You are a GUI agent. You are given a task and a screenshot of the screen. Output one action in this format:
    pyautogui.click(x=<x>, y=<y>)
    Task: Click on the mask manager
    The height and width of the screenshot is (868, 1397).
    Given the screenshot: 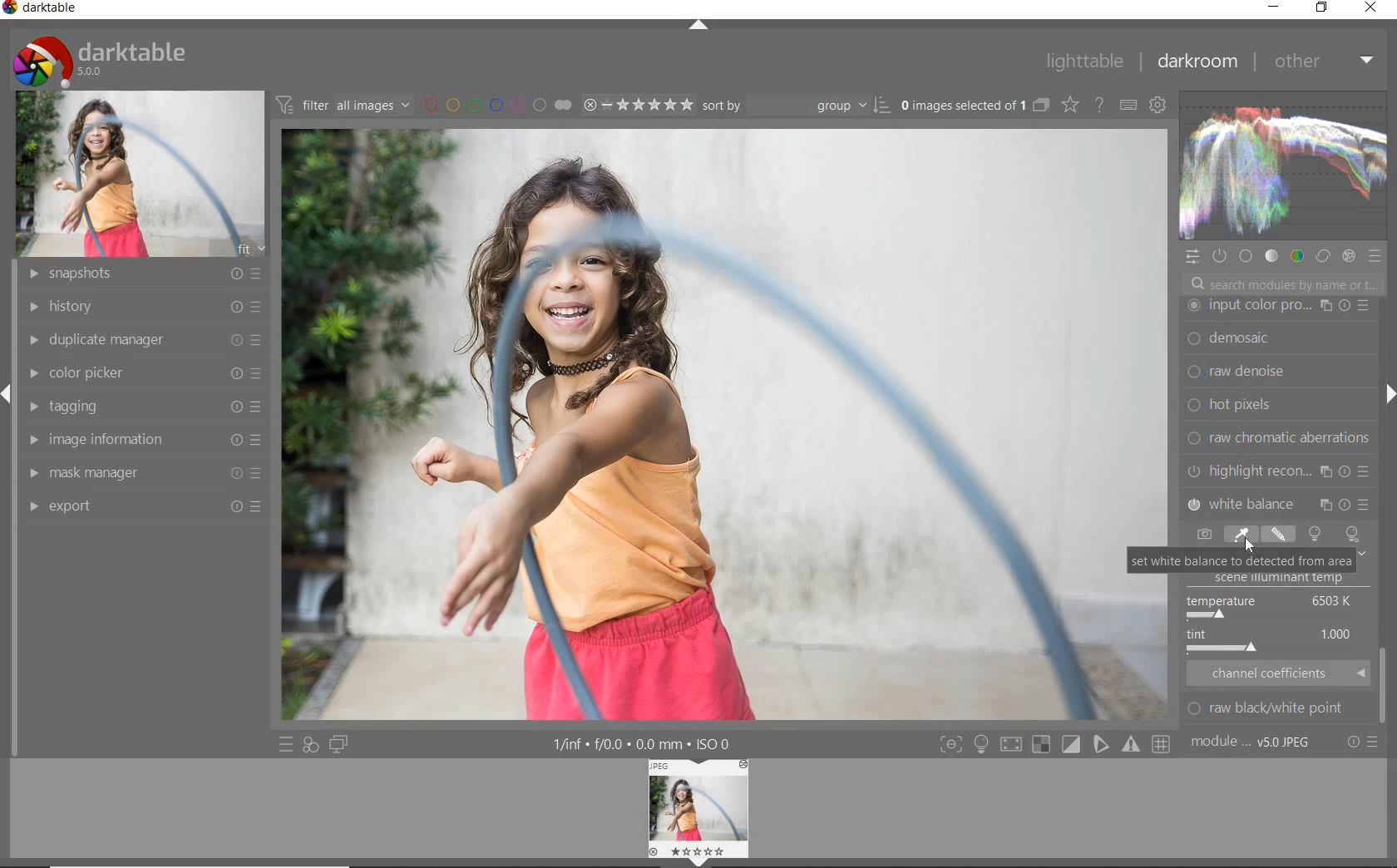 What is the action you would take?
    pyautogui.click(x=142, y=469)
    